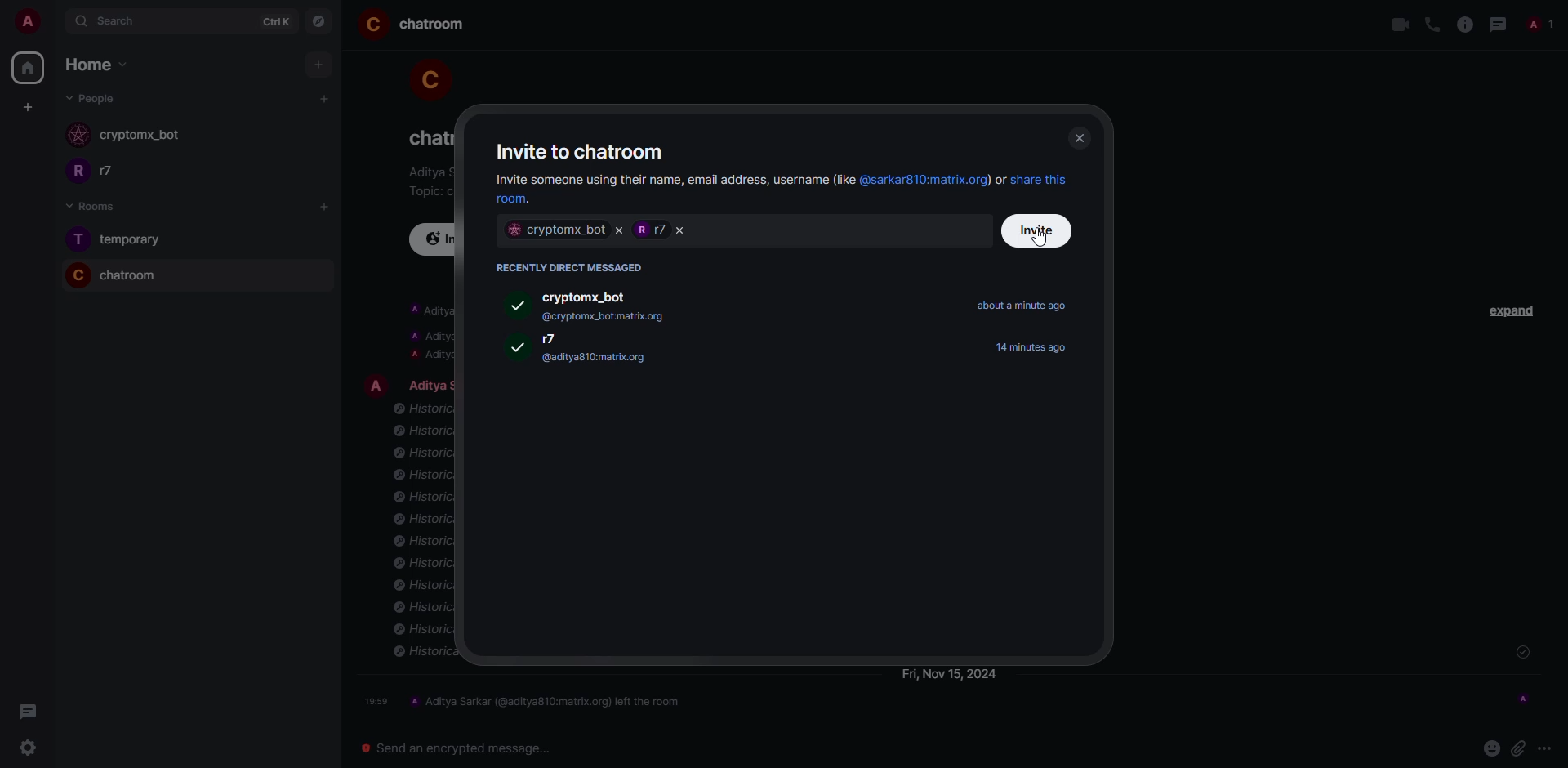 This screenshot has height=768, width=1568. What do you see at coordinates (79, 136) in the screenshot?
I see `profile image` at bounding box center [79, 136].